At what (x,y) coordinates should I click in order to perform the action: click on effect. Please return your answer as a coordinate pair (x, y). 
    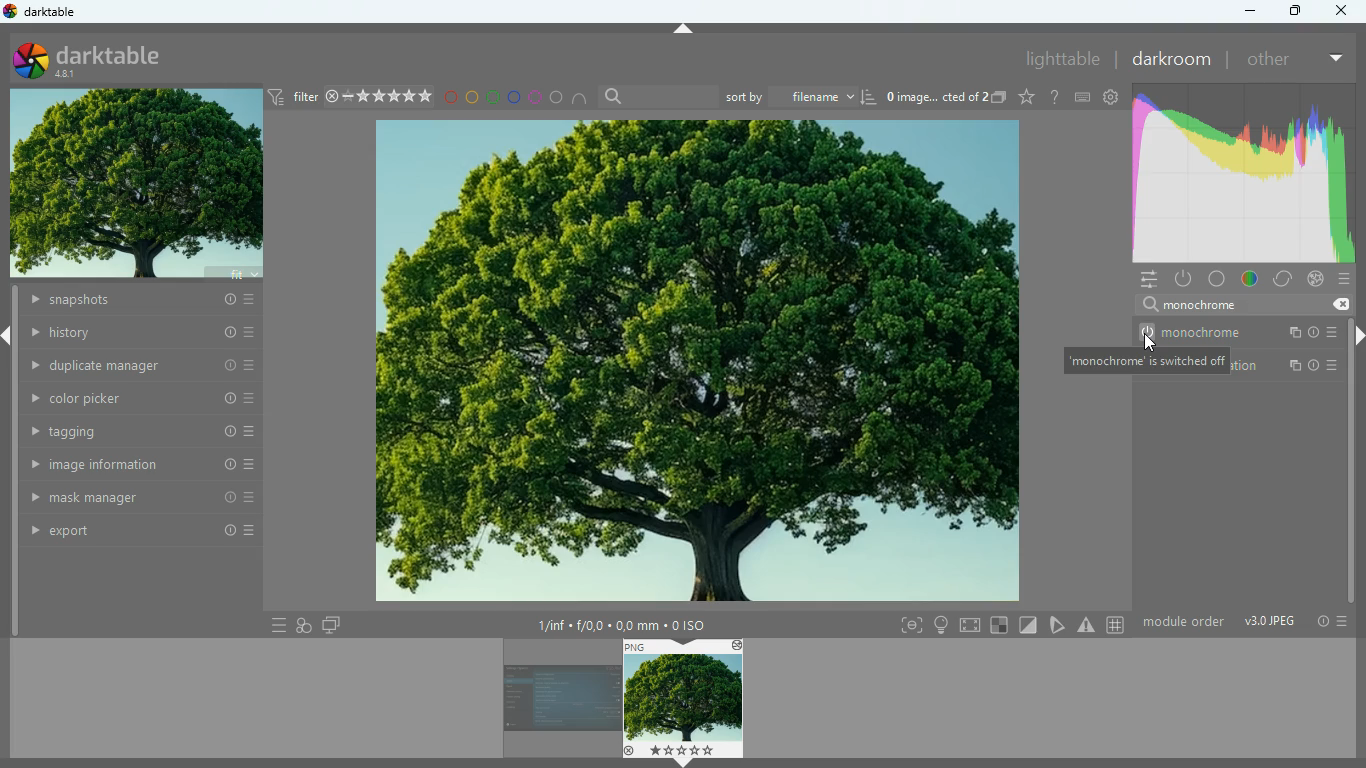
    Looking at the image, I should click on (1317, 278).